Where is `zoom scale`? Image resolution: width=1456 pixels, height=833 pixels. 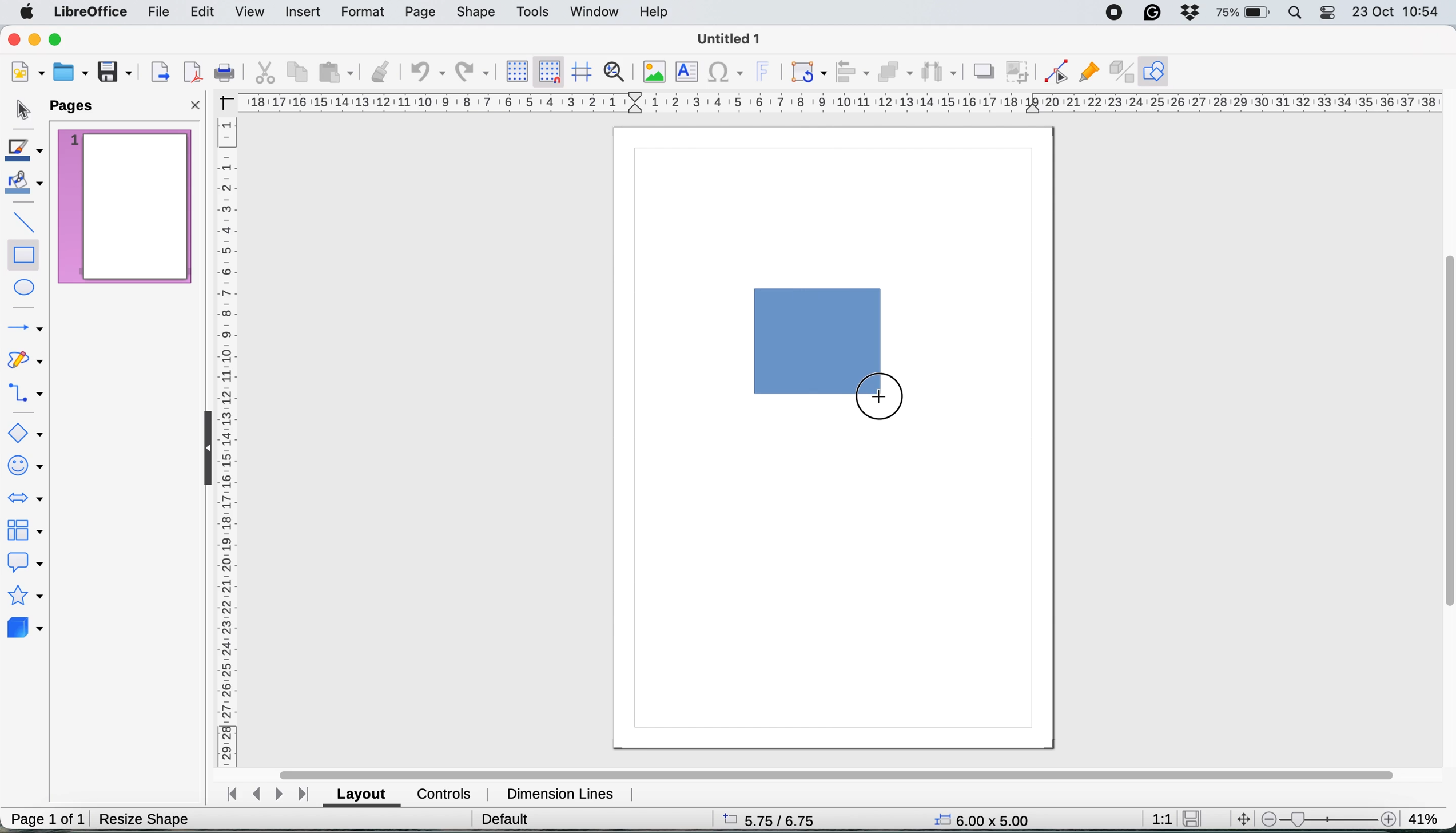
zoom scale is located at coordinates (1328, 817).